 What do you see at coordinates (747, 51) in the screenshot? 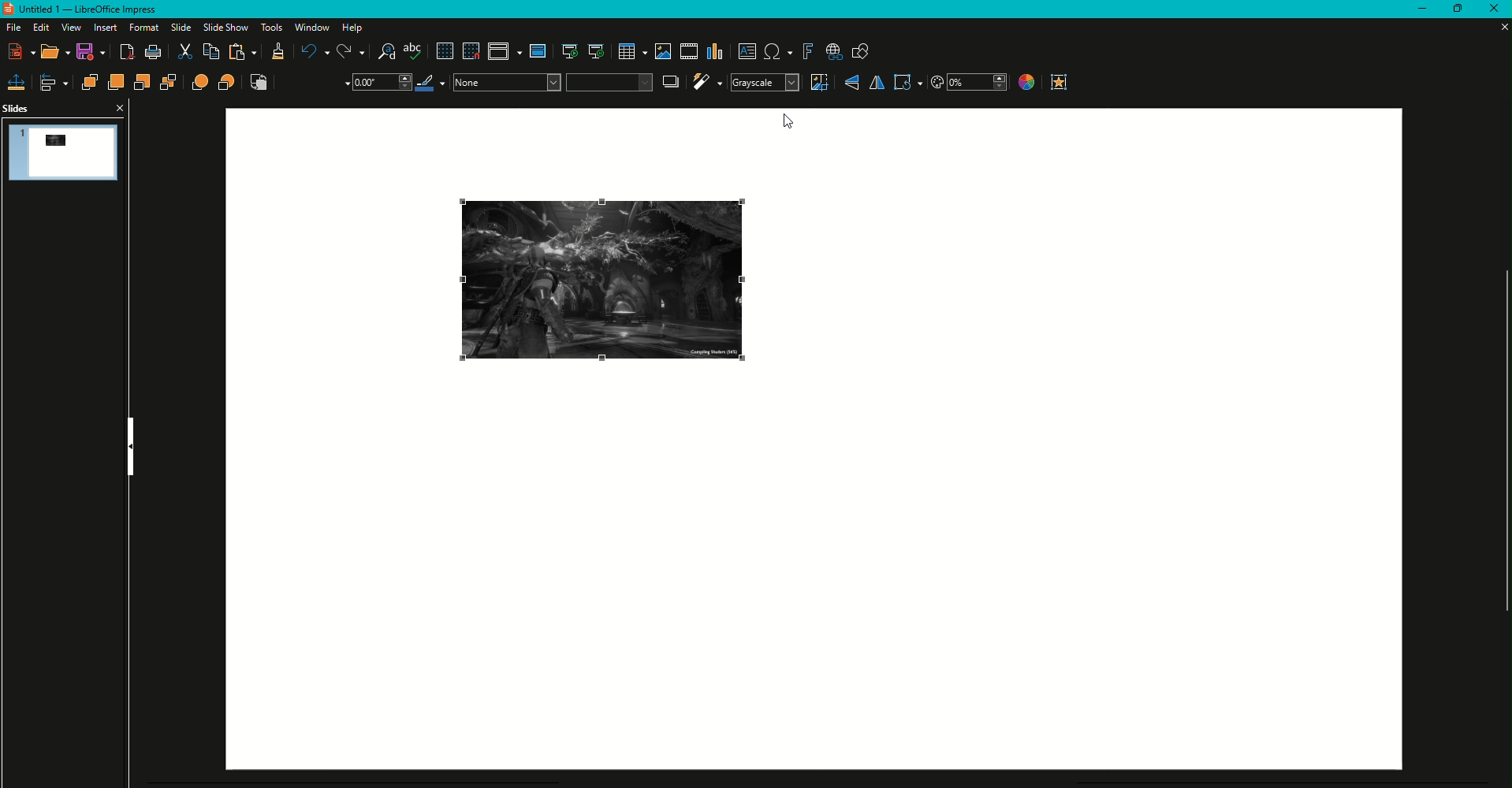
I see `Text Box` at bounding box center [747, 51].